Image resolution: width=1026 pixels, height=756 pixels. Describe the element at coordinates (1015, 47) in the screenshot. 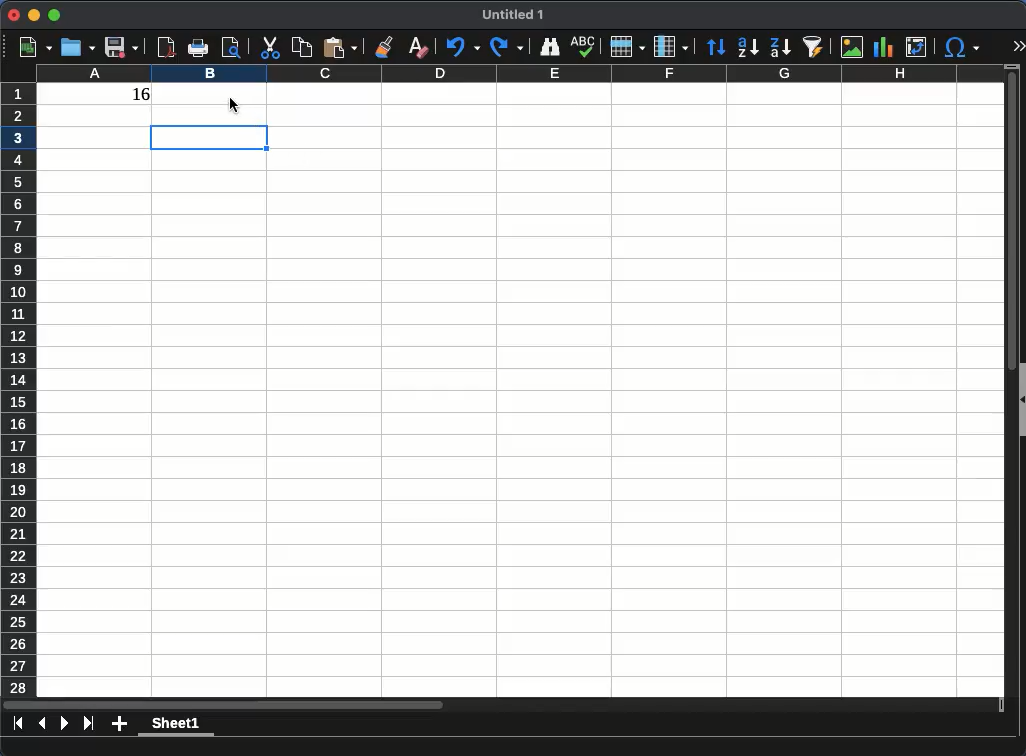

I see `expand ` at that location.